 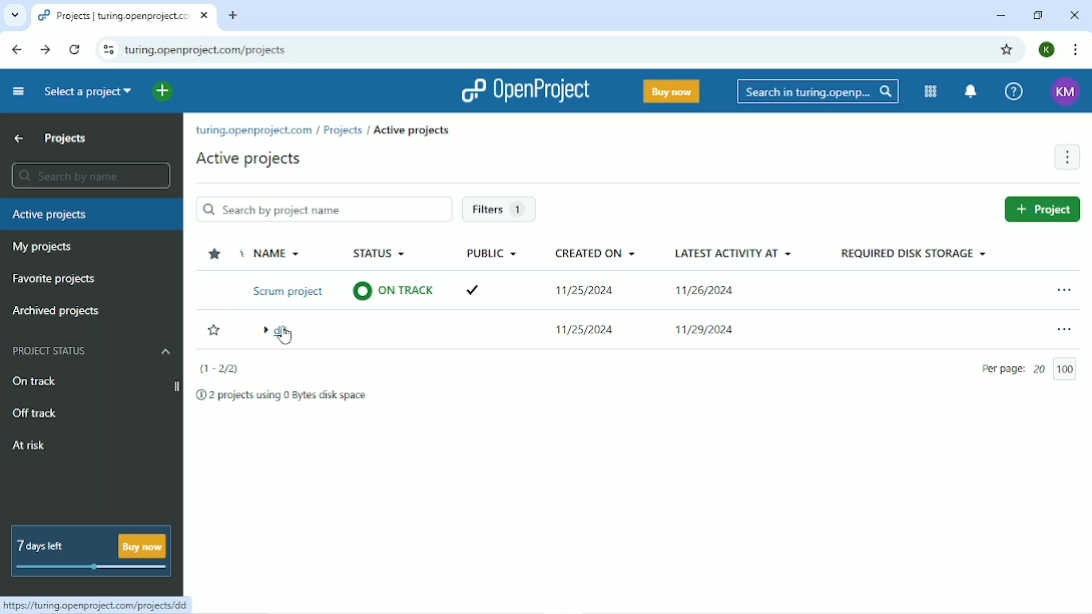 What do you see at coordinates (251, 131) in the screenshot?
I see `turing.openproject.com` at bounding box center [251, 131].